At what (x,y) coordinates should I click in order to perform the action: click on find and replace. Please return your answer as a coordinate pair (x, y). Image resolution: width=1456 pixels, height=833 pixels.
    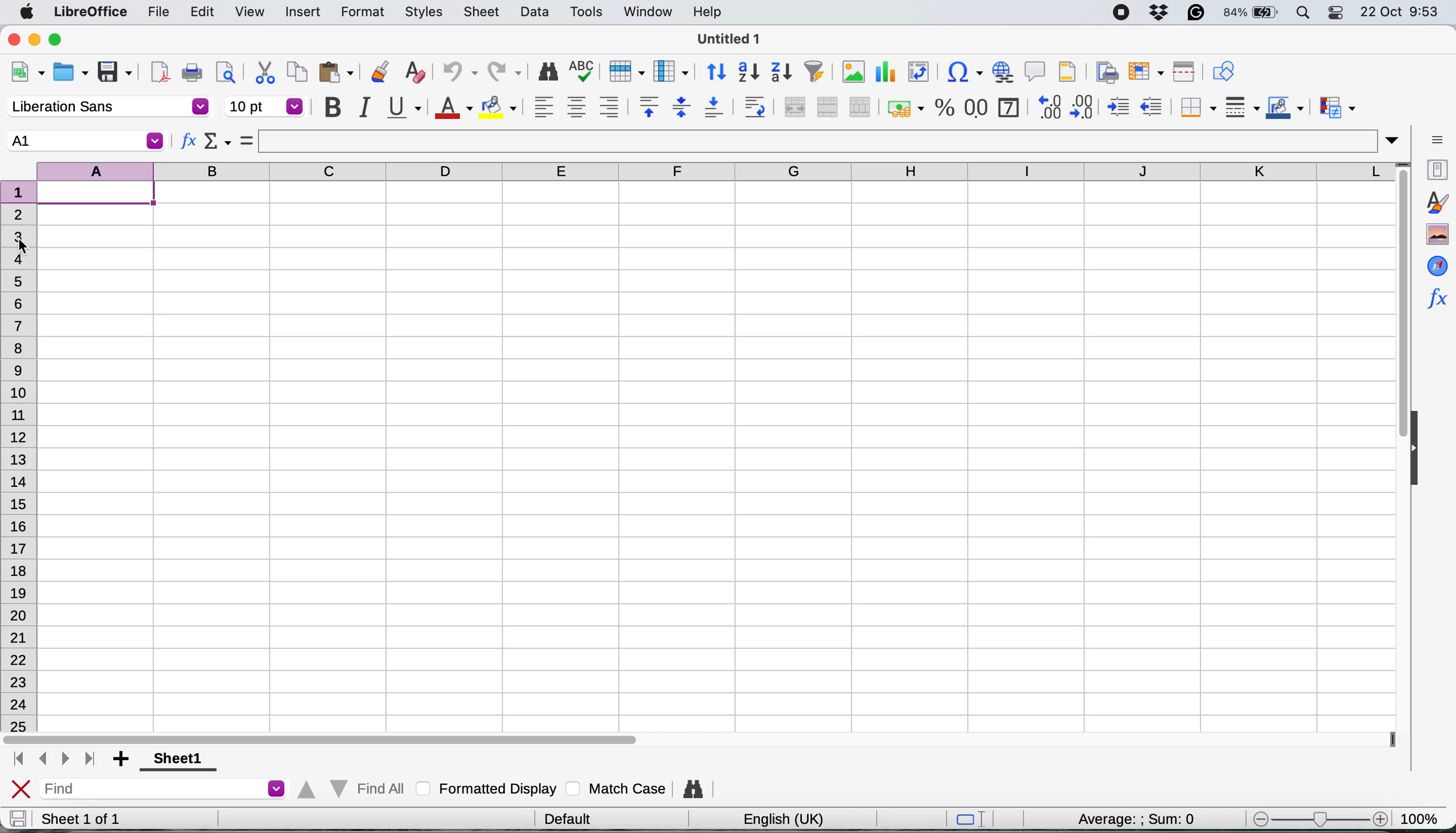
    Looking at the image, I should click on (549, 72).